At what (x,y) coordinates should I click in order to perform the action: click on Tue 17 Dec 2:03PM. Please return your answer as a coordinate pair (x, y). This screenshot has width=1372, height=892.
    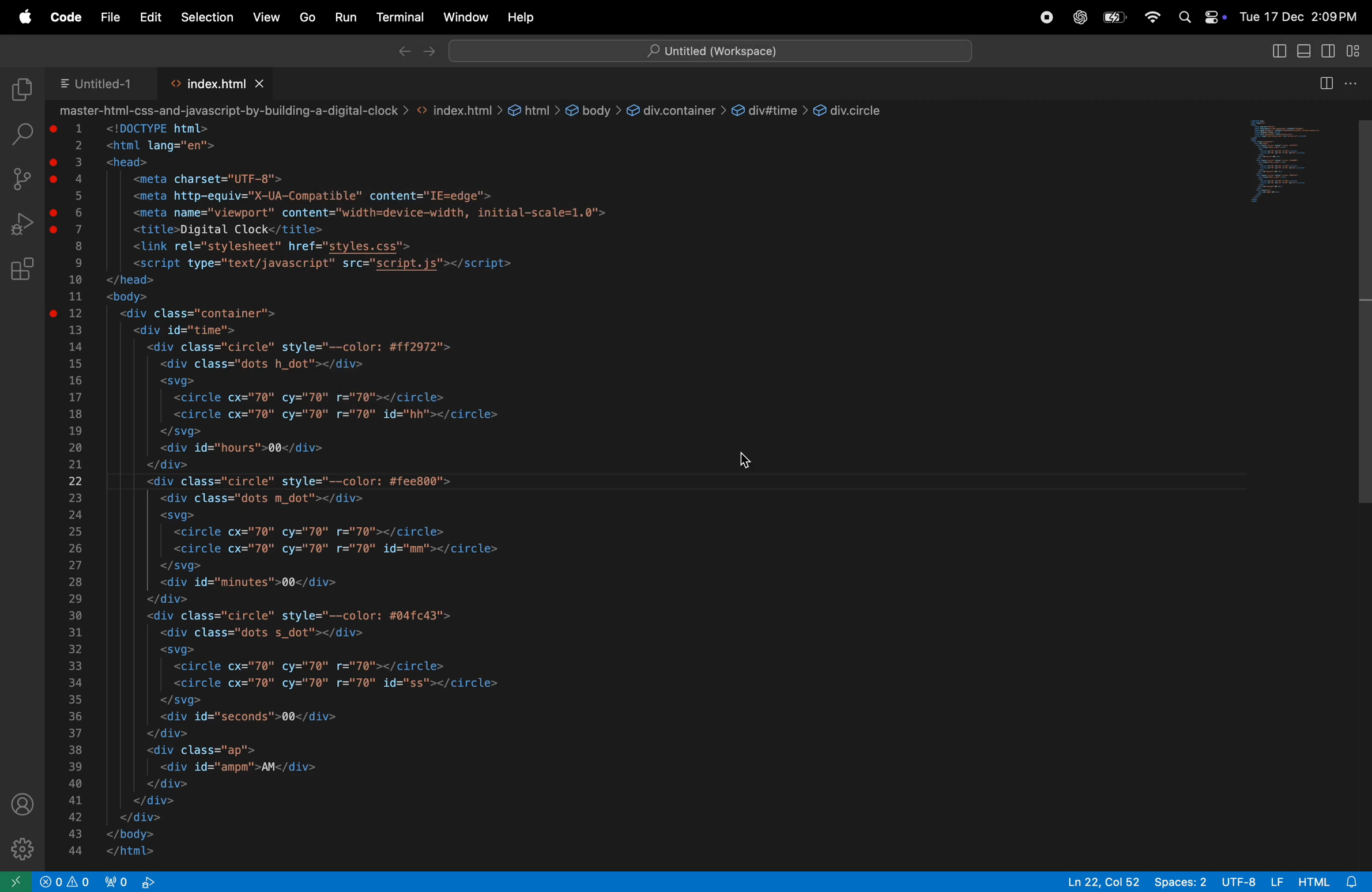
    Looking at the image, I should click on (1297, 18).